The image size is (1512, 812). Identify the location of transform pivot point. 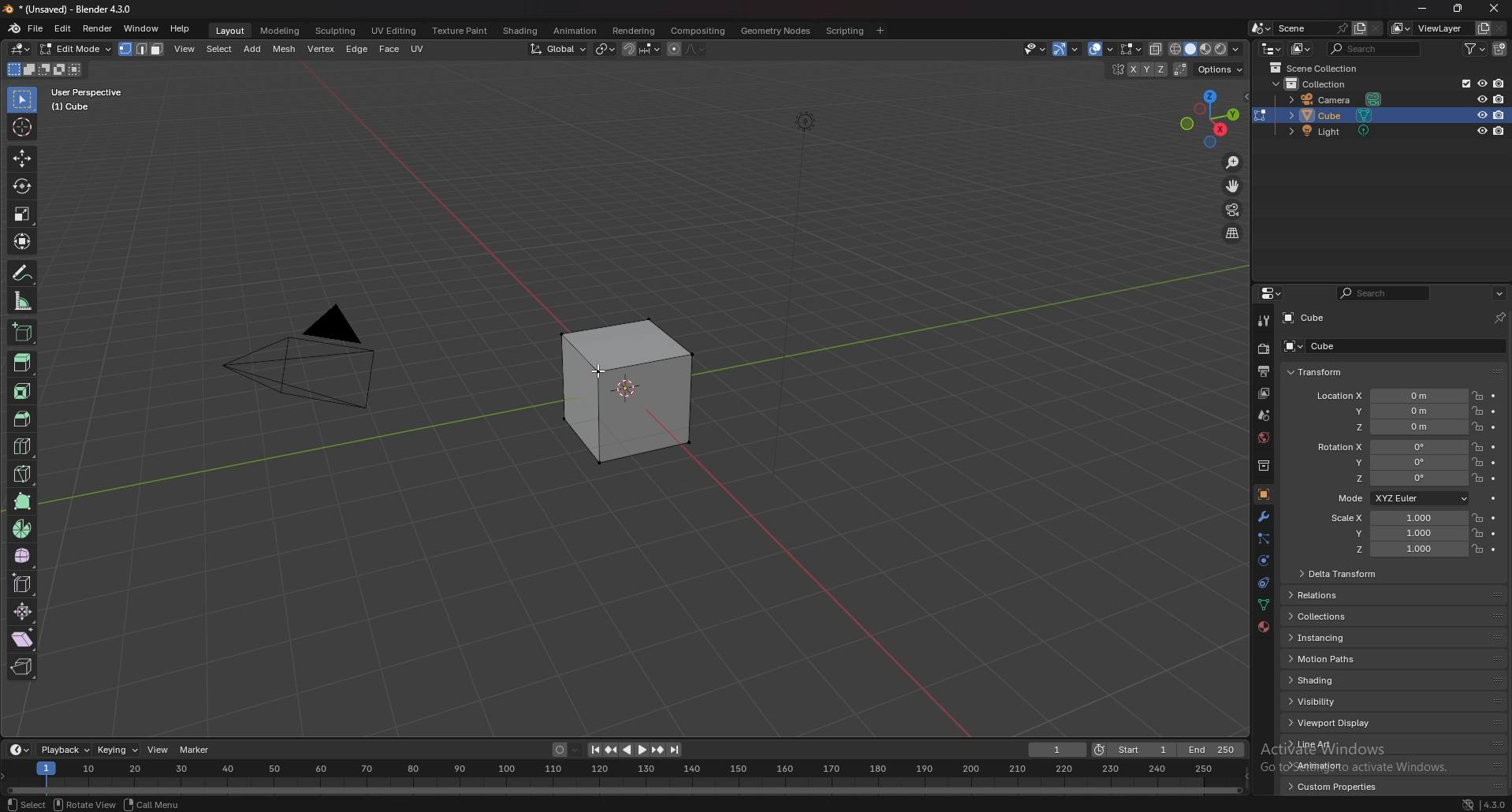
(605, 50).